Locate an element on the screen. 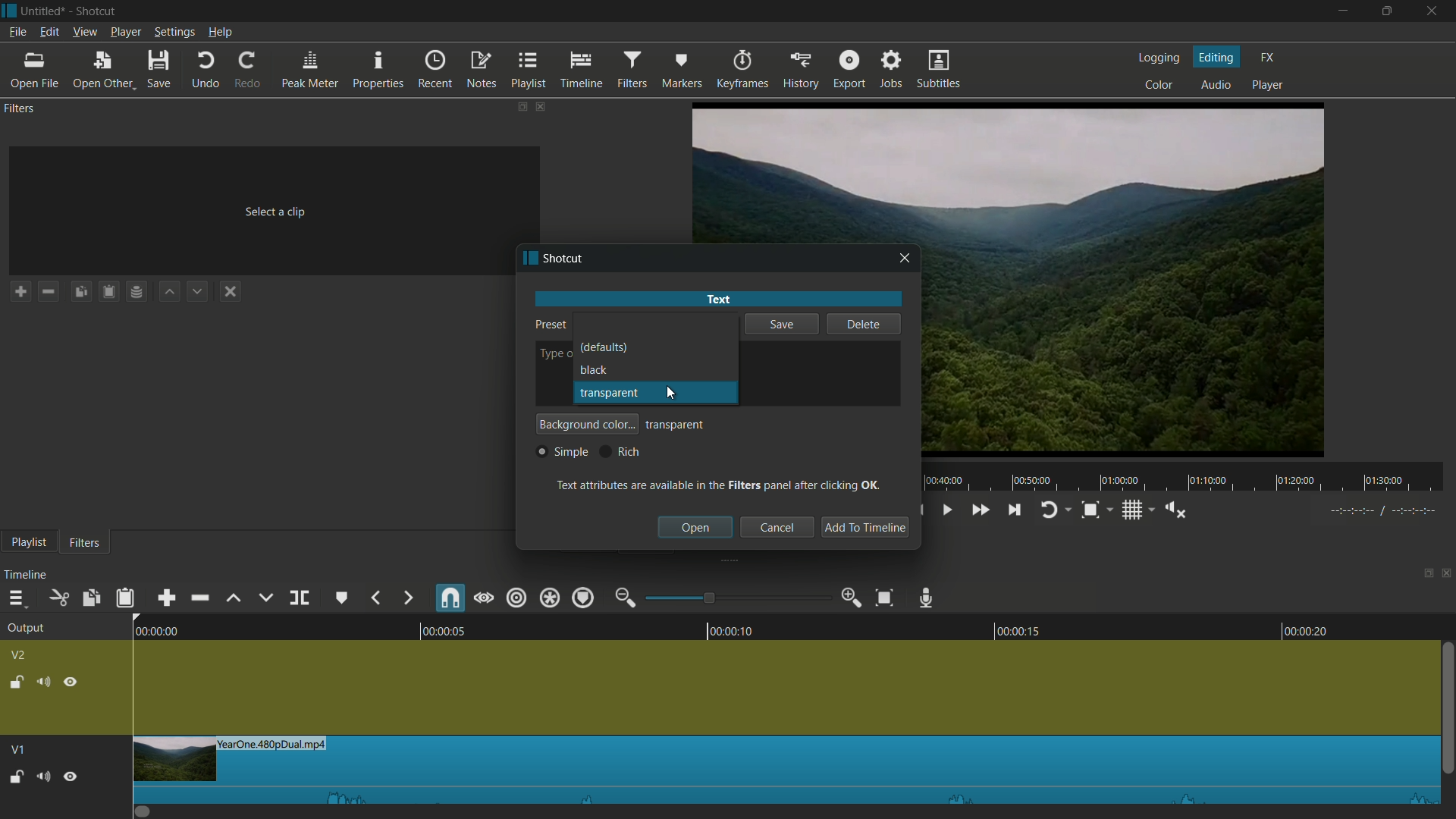 This screenshot has height=819, width=1456. logging is located at coordinates (1161, 59).